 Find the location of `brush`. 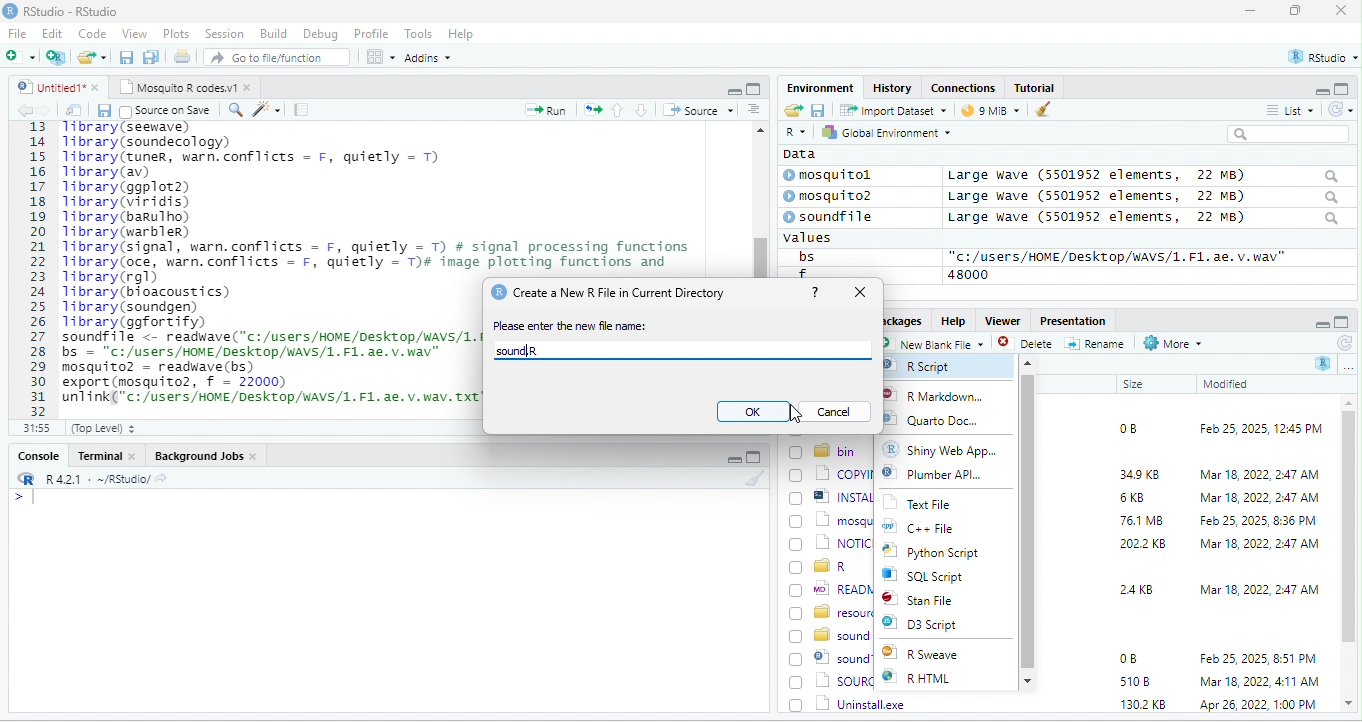

brush is located at coordinates (1044, 111).